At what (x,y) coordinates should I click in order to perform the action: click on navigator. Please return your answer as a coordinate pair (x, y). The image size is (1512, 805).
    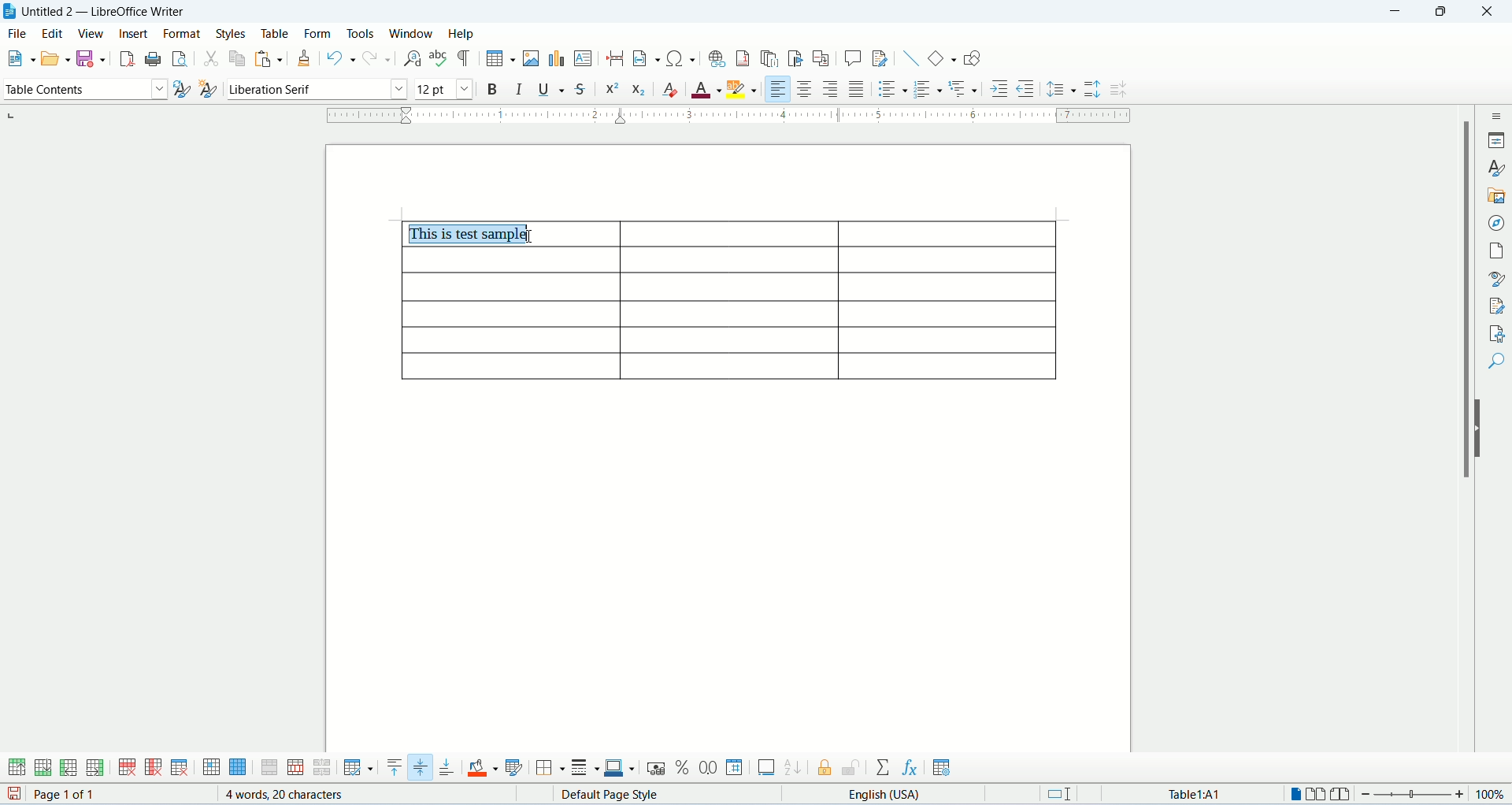
    Looking at the image, I should click on (1497, 221).